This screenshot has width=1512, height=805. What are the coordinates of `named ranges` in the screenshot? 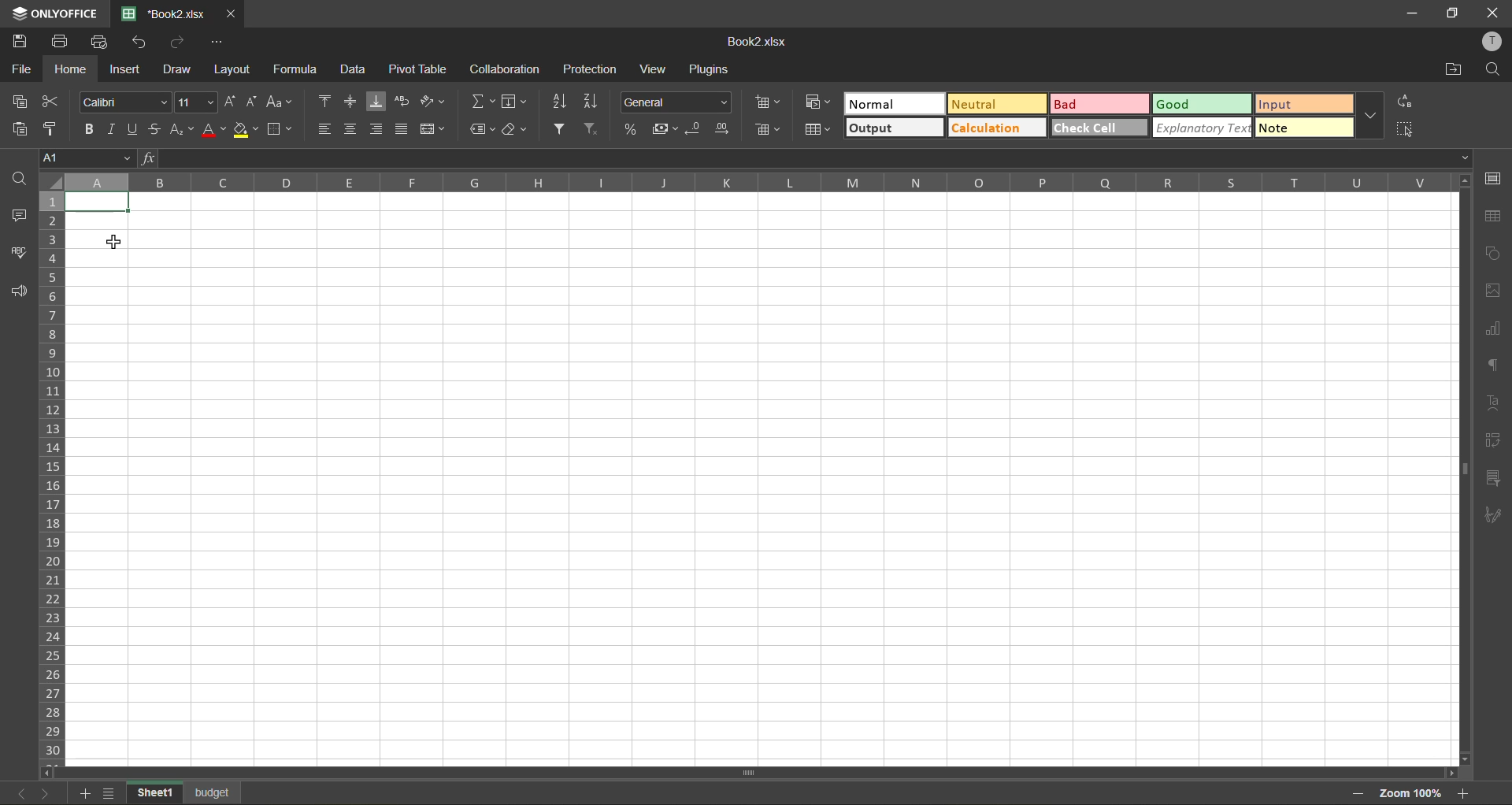 It's located at (483, 129).